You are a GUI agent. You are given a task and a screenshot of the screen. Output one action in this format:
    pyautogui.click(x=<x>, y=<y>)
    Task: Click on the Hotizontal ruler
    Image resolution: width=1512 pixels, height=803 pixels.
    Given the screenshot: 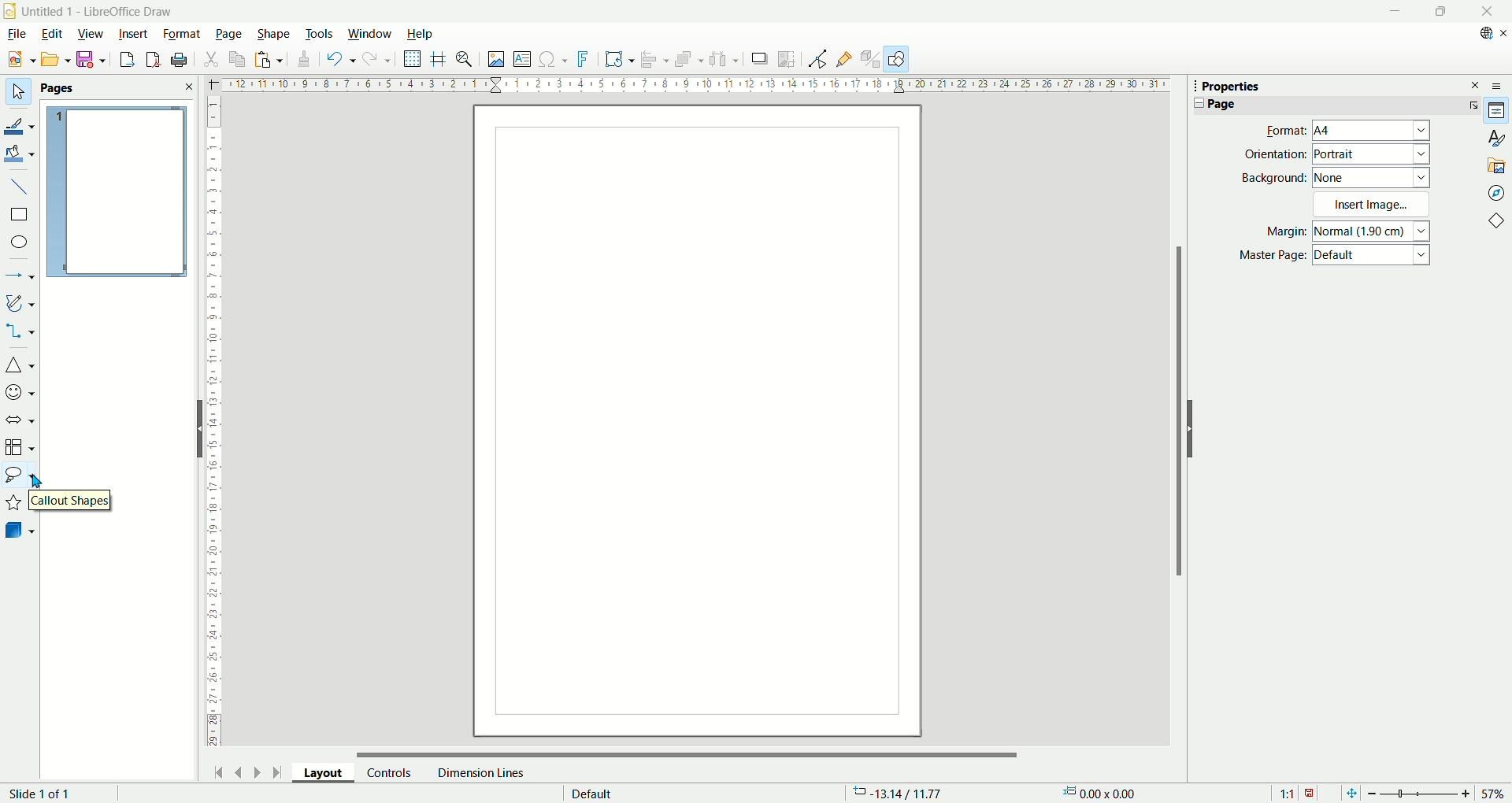 What is the action you would take?
    pyautogui.click(x=695, y=87)
    